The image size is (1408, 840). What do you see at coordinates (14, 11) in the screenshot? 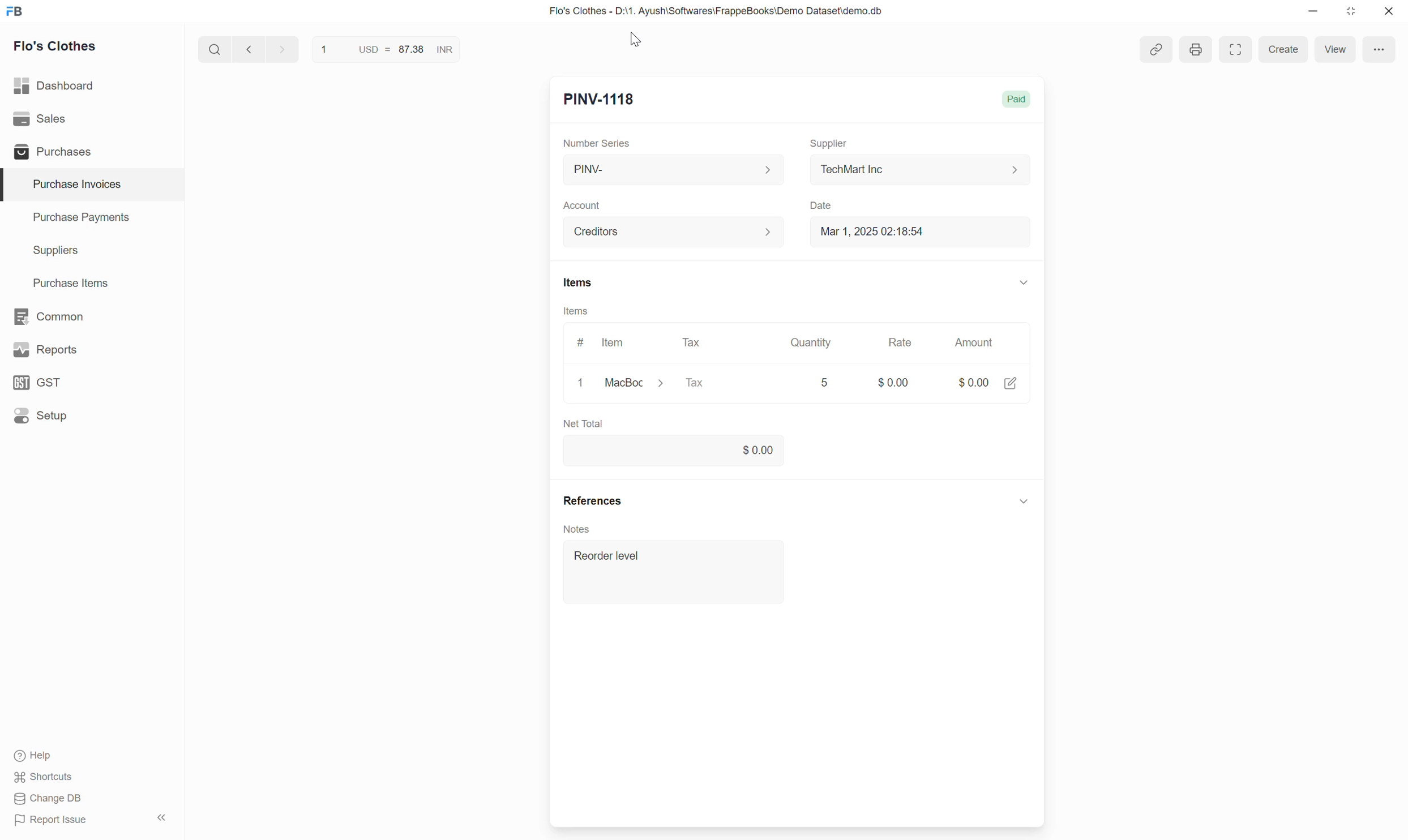
I see `Frappe Books logo` at bounding box center [14, 11].